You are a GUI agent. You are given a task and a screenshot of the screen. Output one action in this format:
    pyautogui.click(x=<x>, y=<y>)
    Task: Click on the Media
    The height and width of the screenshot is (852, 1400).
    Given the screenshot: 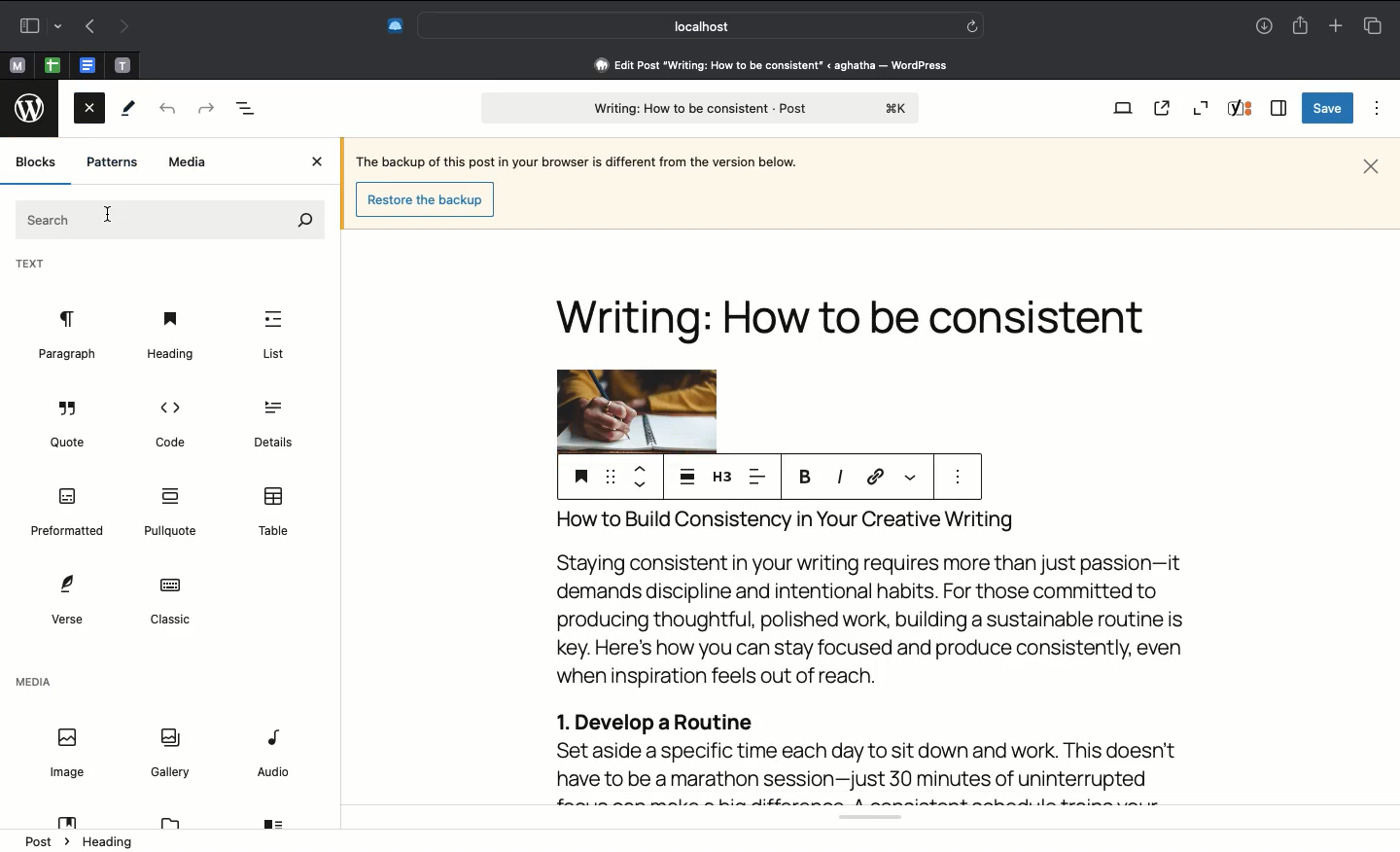 What is the action you would take?
    pyautogui.click(x=189, y=163)
    